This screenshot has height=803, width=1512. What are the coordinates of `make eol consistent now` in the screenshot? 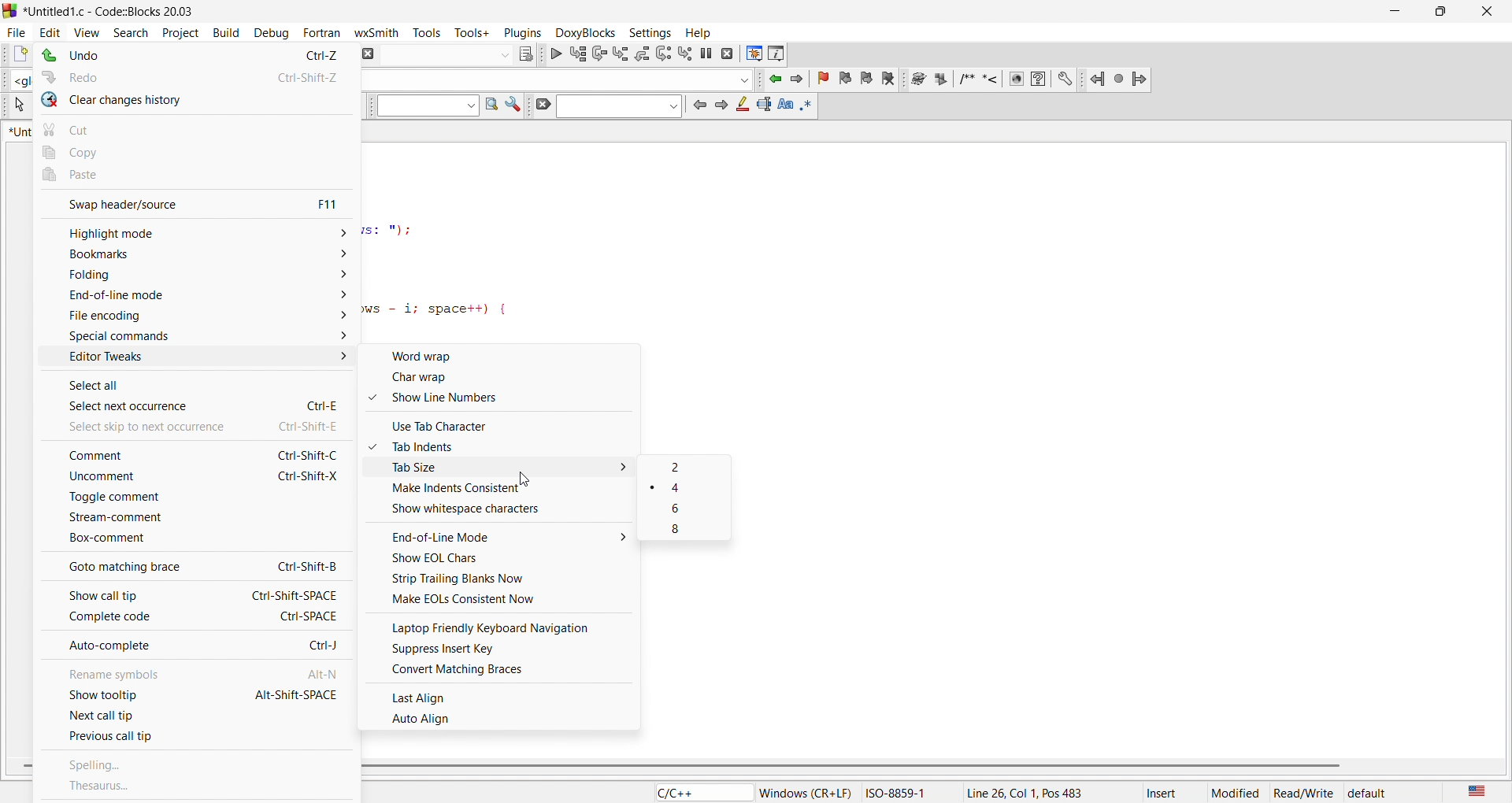 It's located at (503, 600).